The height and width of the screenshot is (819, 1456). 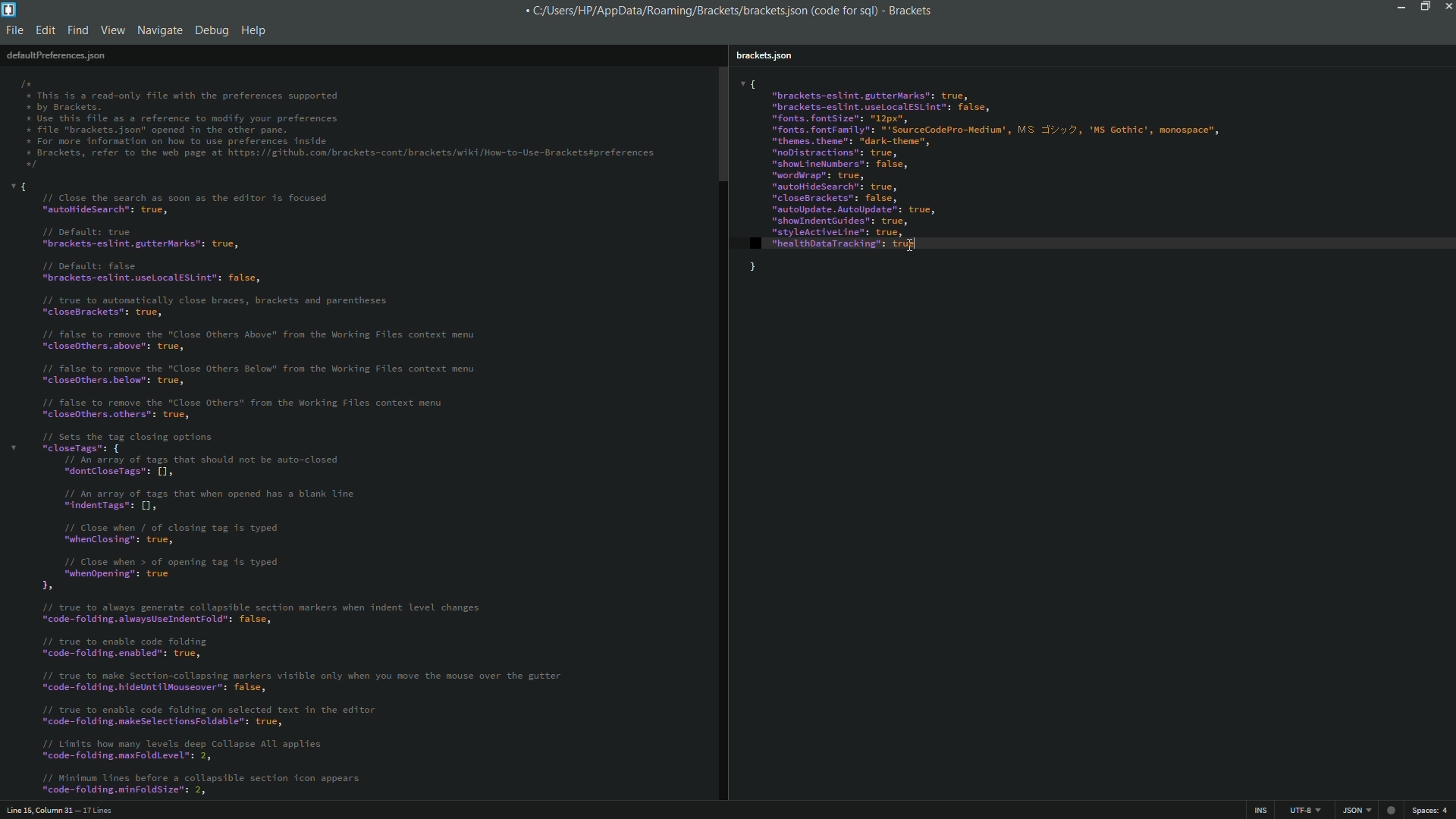 What do you see at coordinates (160, 30) in the screenshot?
I see `Navigate menu` at bounding box center [160, 30].